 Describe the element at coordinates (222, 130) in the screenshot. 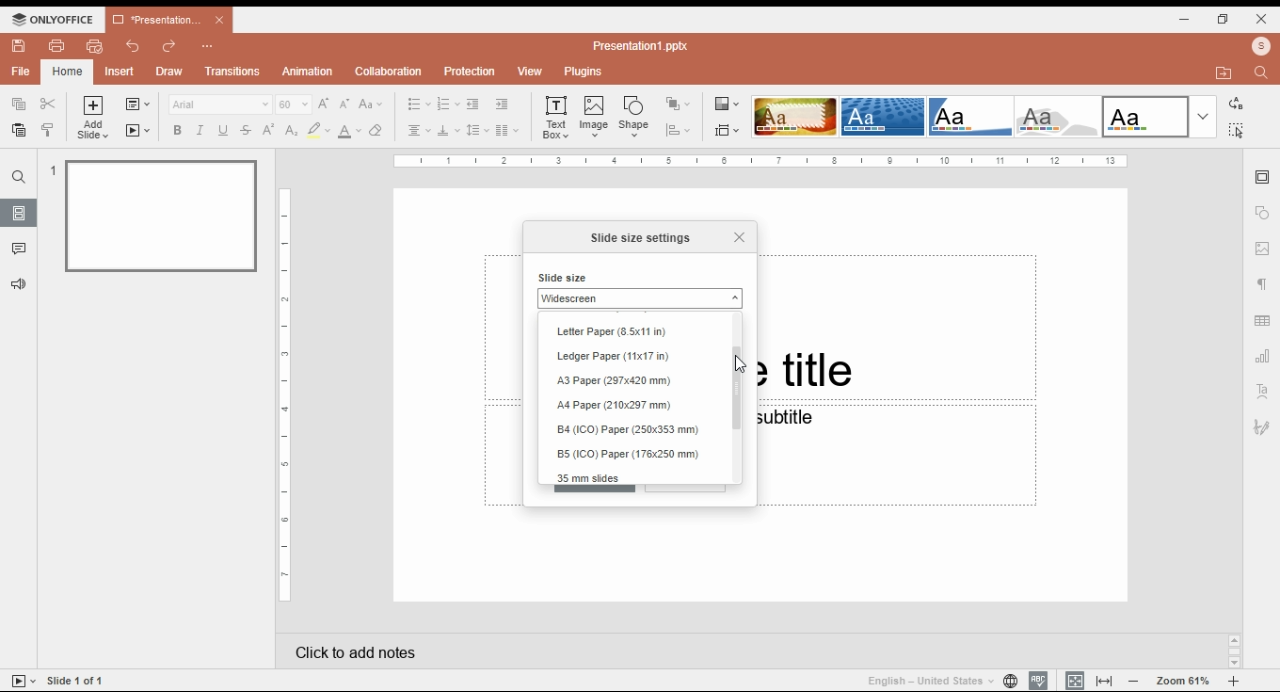

I see `underline` at that location.